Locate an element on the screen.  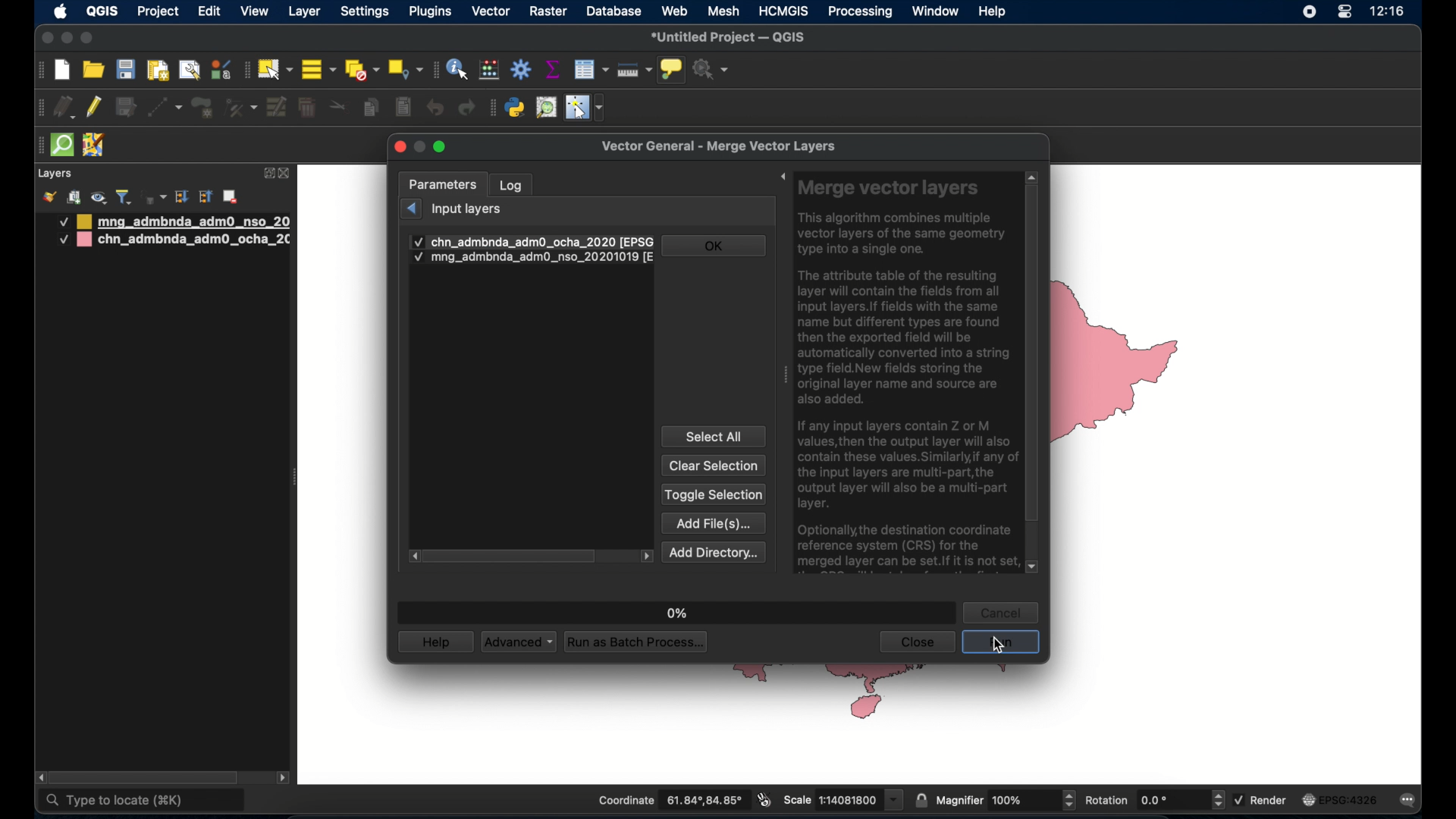
python console is located at coordinates (516, 108).